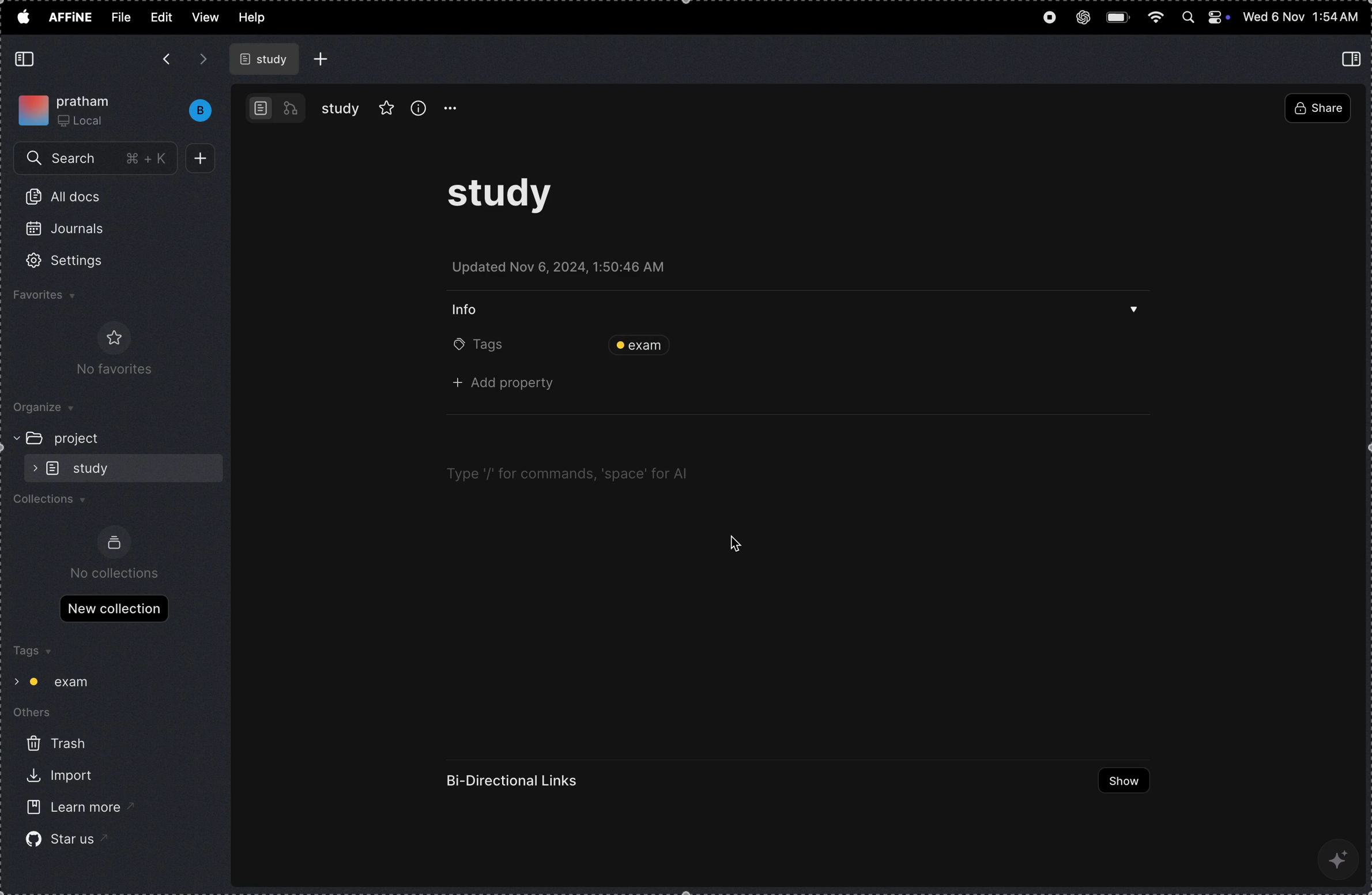 This screenshot has height=895, width=1372. Describe the element at coordinates (1048, 19) in the screenshot. I see `record` at that location.